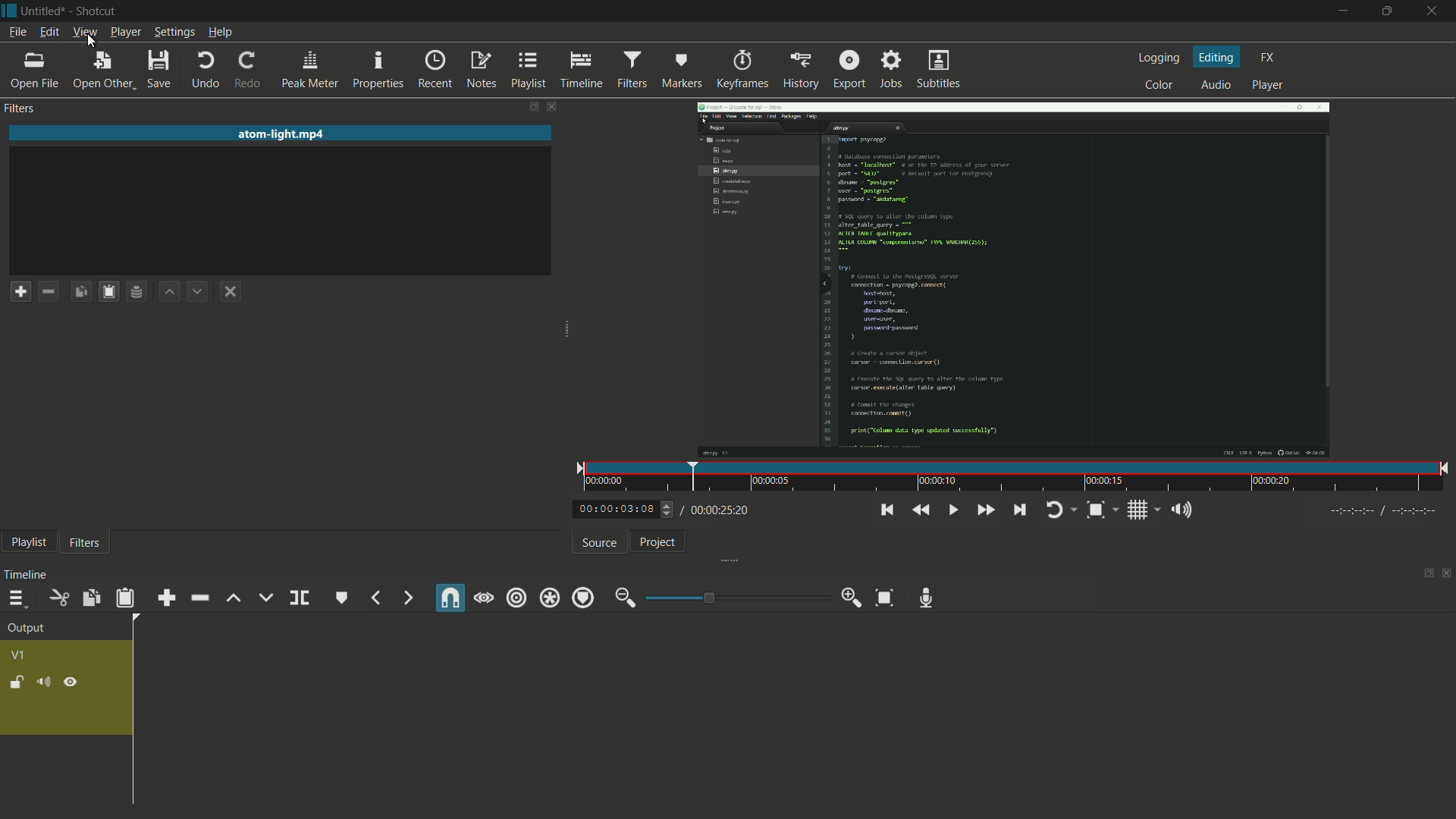 The height and width of the screenshot is (819, 1456). I want to click on undo, so click(206, 71).